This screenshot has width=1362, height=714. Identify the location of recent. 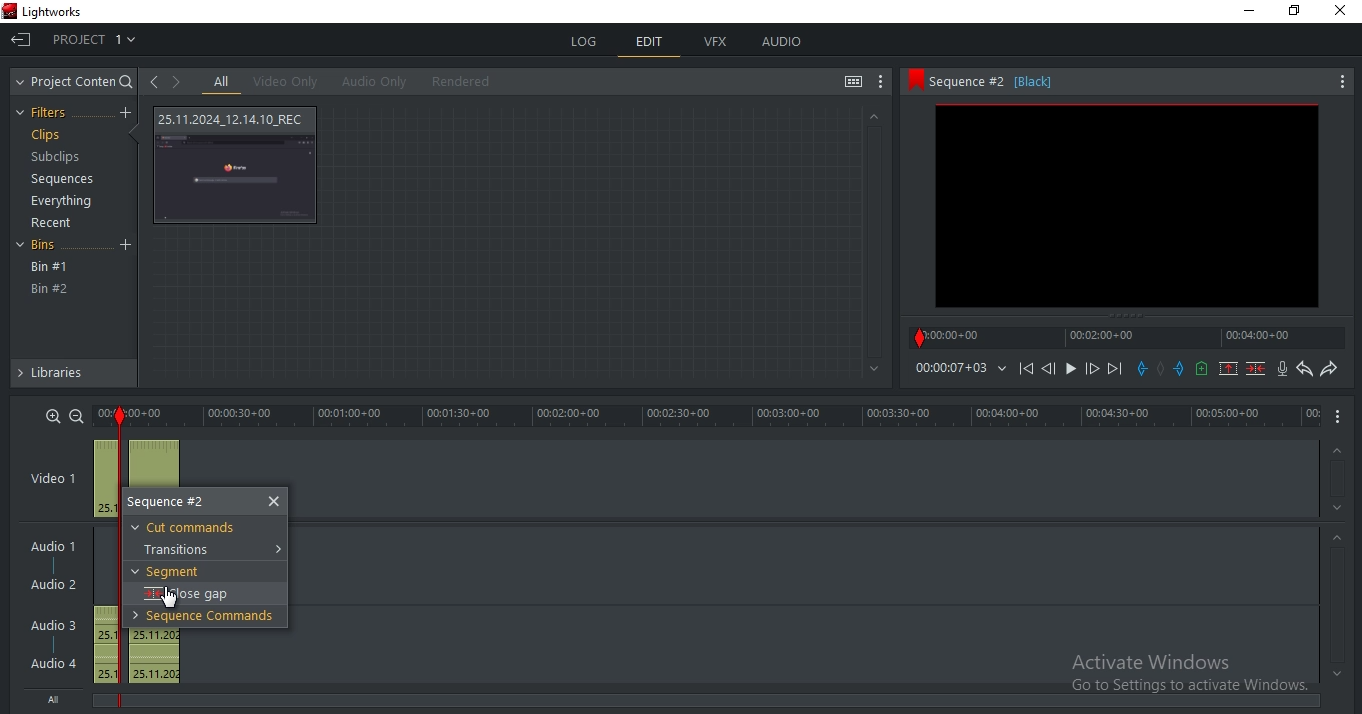
(54, 223).